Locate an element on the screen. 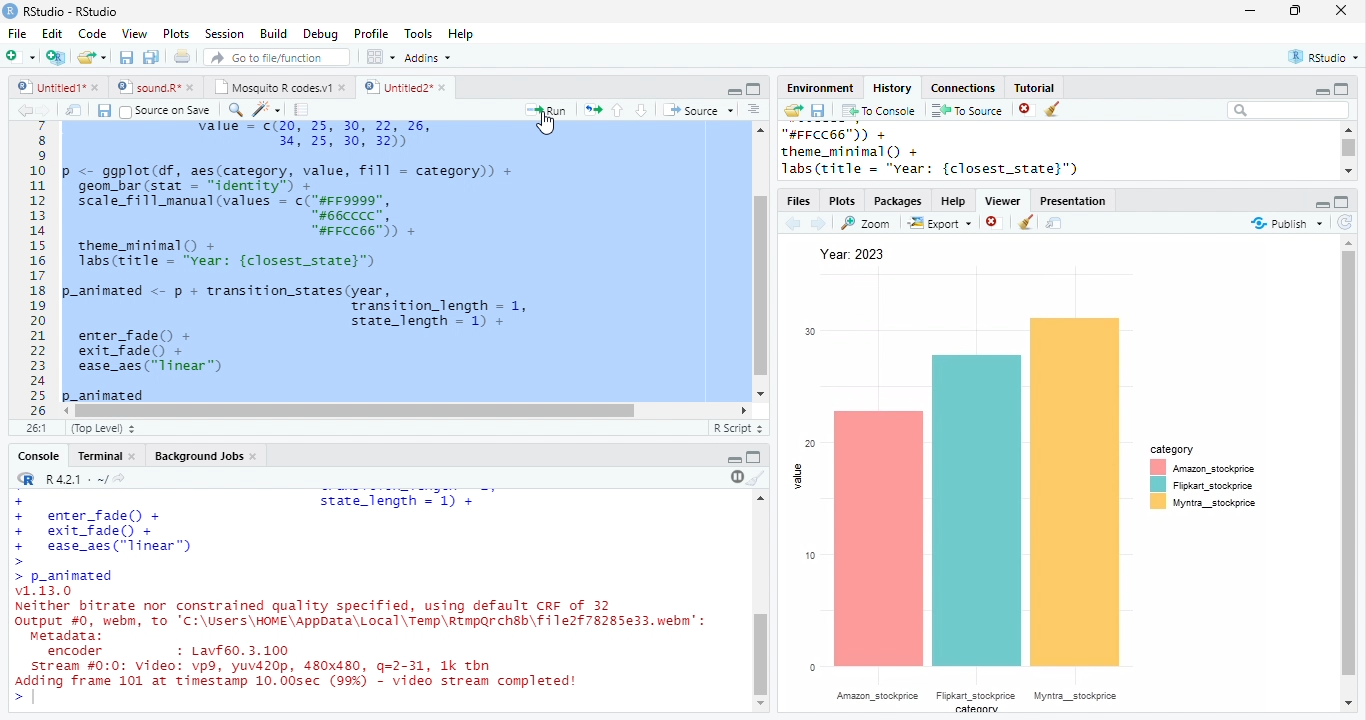 This screenshot has width=1366, height=720. Zoom is located at coordinates (866, 223).